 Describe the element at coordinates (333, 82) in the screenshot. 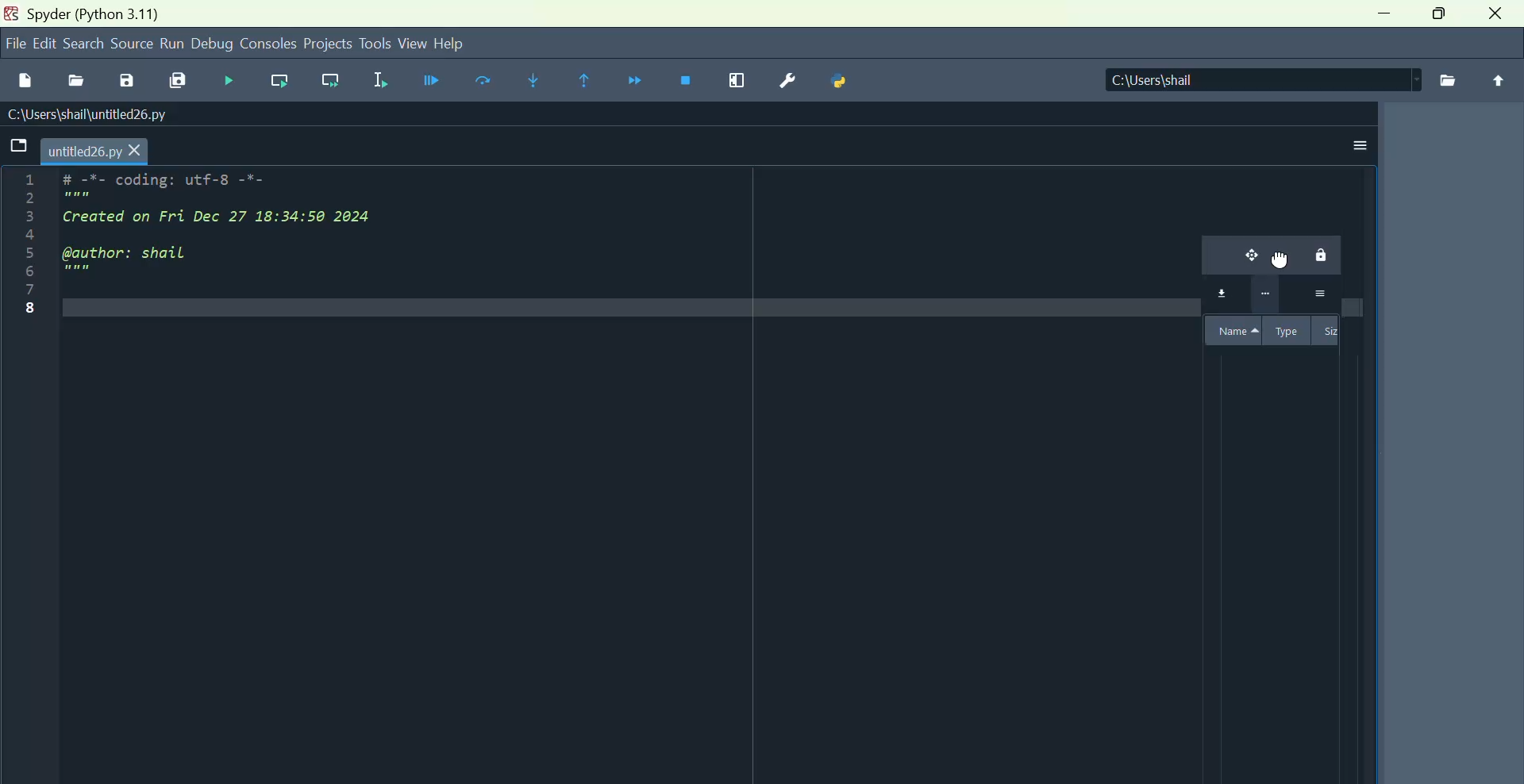

I see `Run current line and go to the next one` at that location.